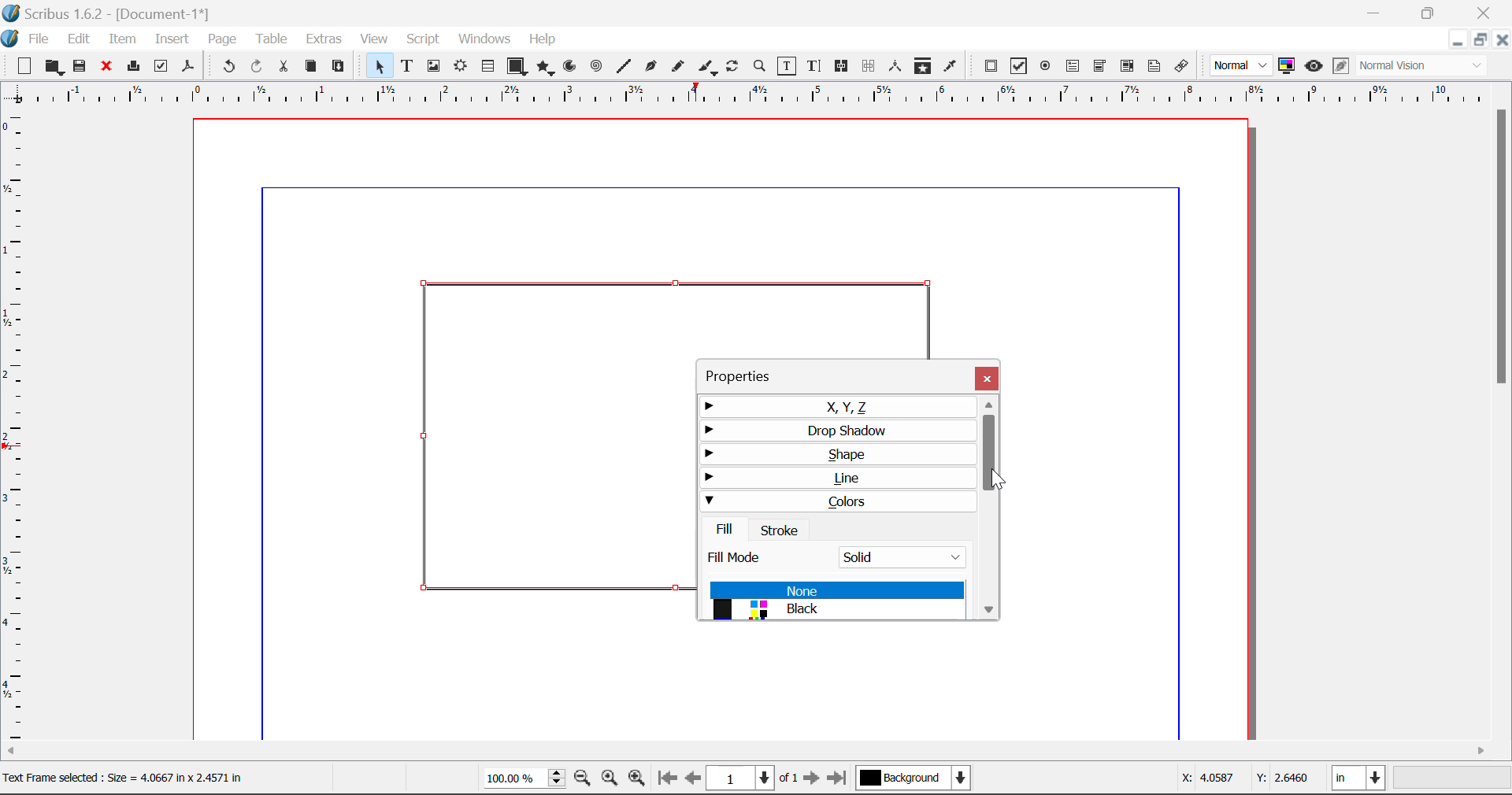 Image resolution: width=1512 pixels, height=795 pixels. Describe the element at coordinates (226, 67) in the screenshot. I see `Undo` at that location.